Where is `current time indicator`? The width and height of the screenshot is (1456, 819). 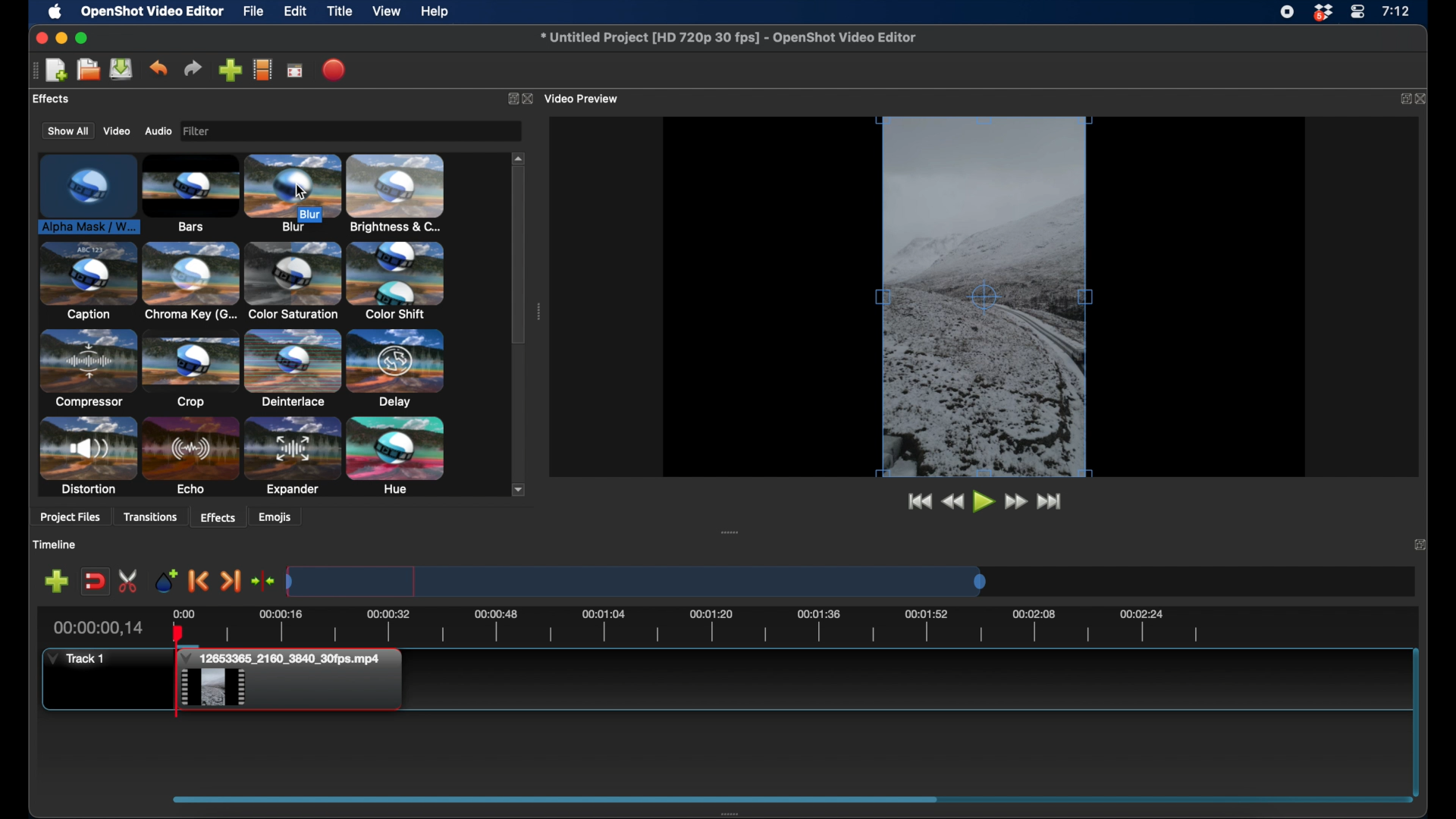 current time indicator is located at coordinates (99, 628).